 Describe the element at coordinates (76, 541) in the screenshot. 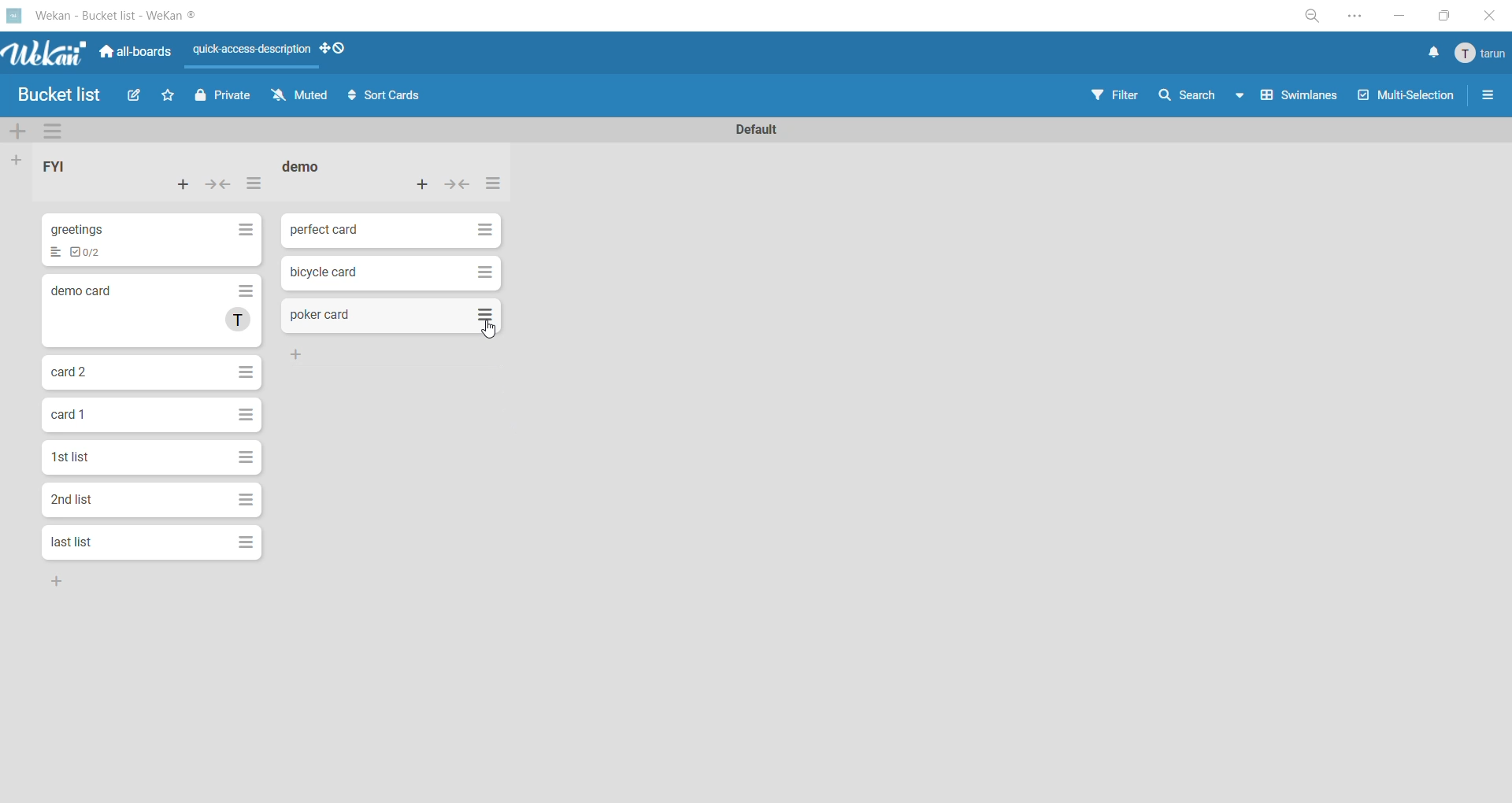

I see `last list` at that location.